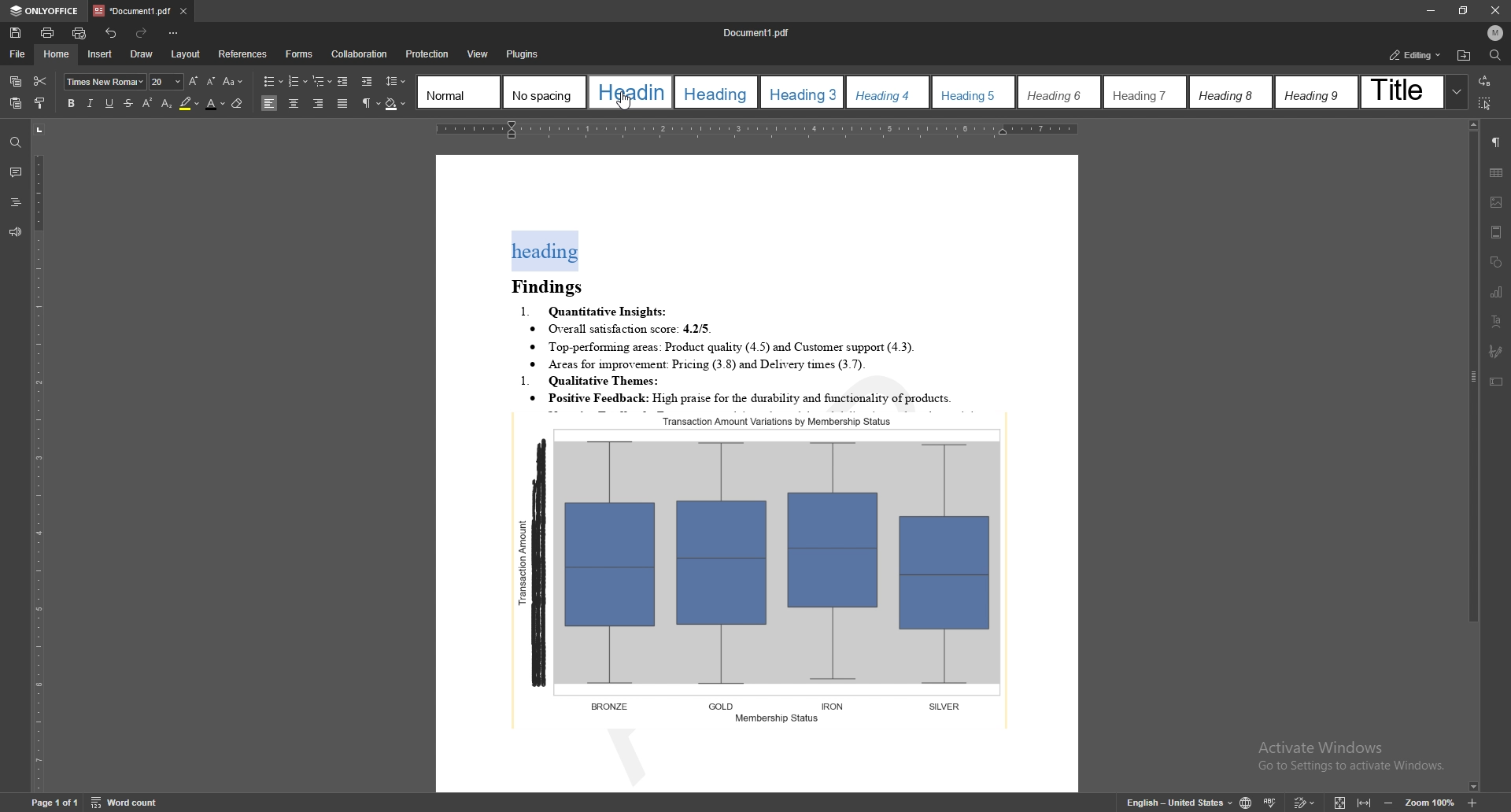  What do you see at coordinates (1339, 801) in the screenshot?
I see `fit to screen` at bounding box center [1339, 801].